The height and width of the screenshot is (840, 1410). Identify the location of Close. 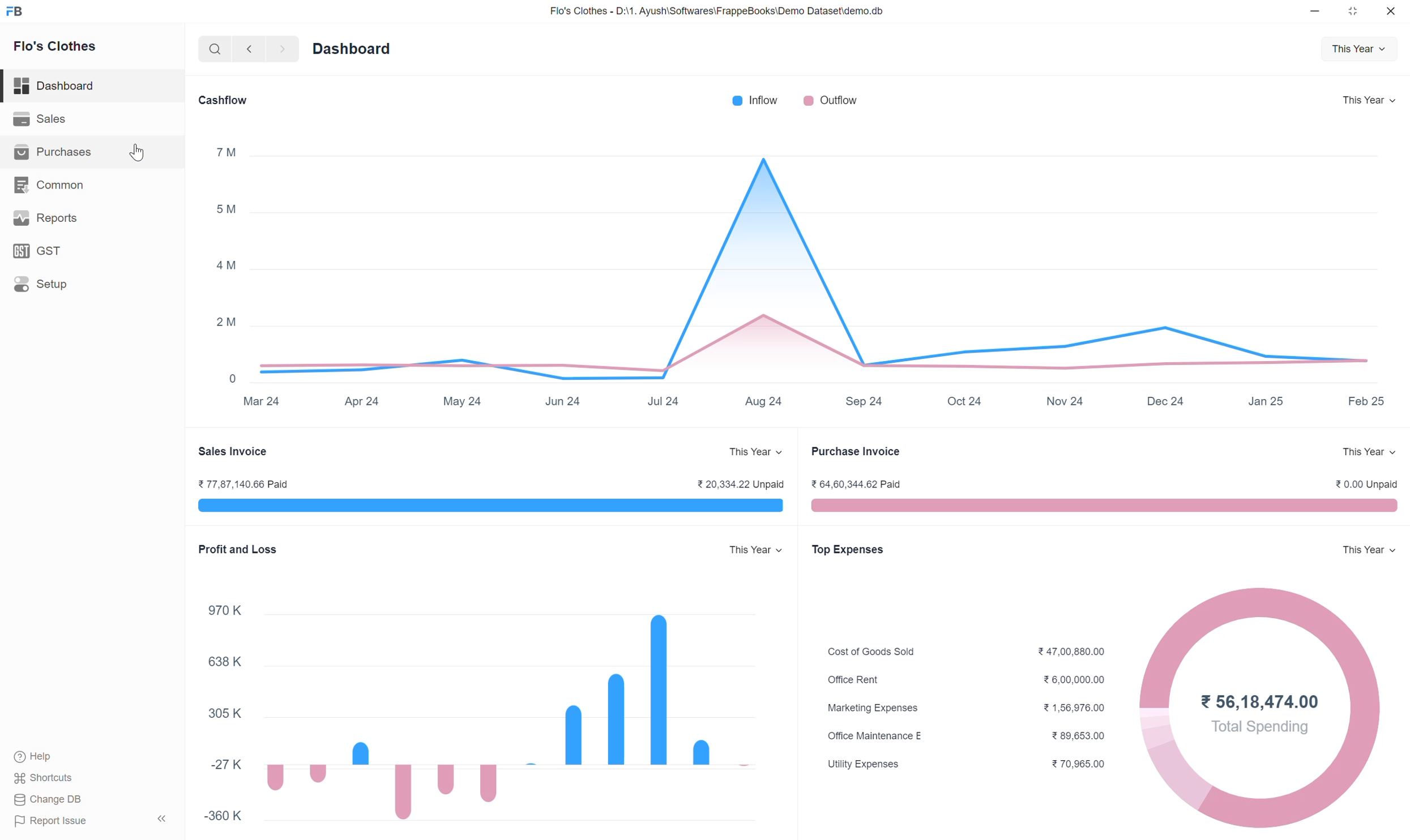
(1391, 11).